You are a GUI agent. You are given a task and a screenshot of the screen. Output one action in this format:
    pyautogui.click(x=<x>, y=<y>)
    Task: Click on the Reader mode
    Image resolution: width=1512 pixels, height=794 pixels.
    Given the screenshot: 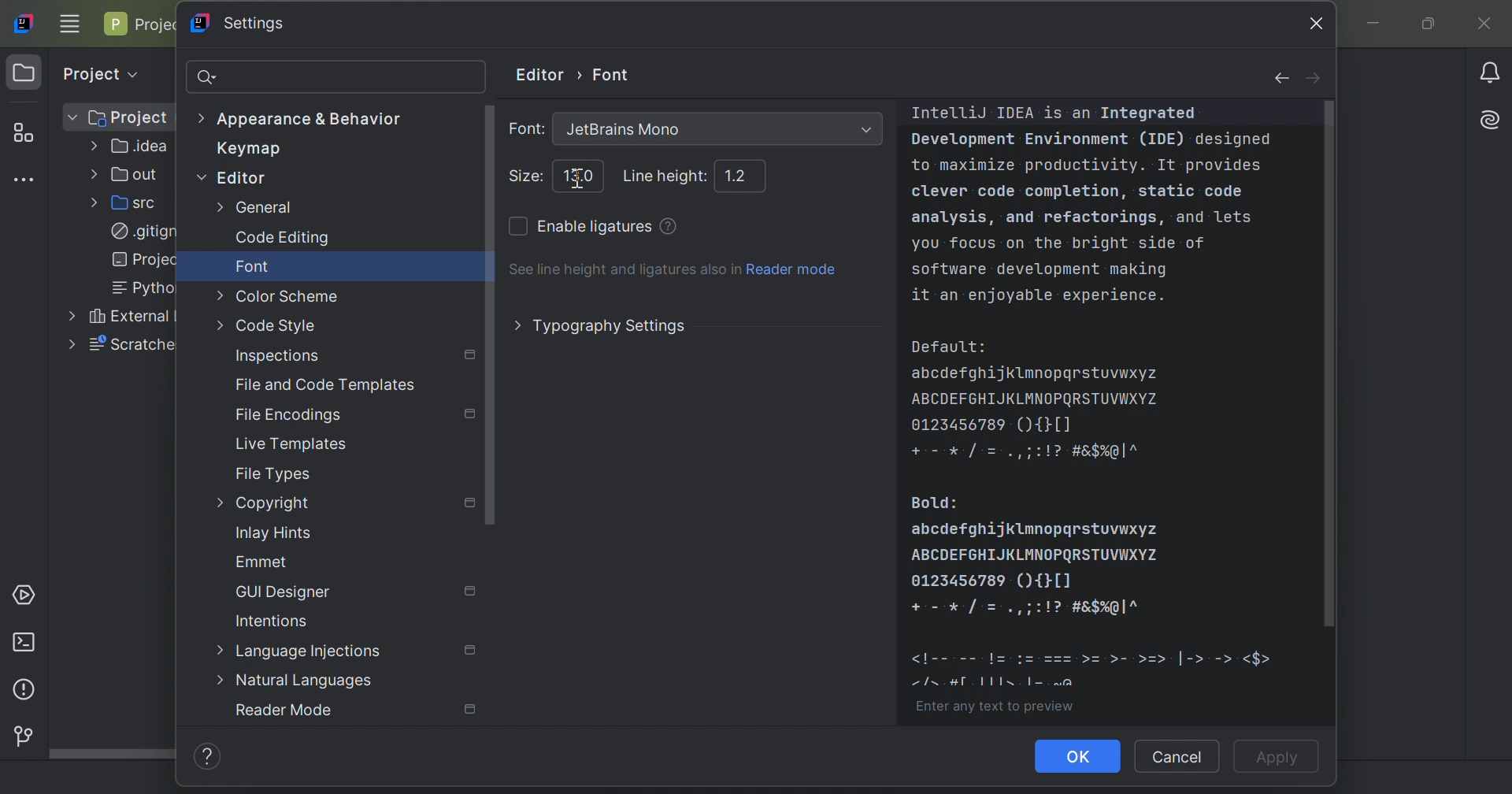 What is the action you would take?
    pyautogui.click(x=283, y=711)
    